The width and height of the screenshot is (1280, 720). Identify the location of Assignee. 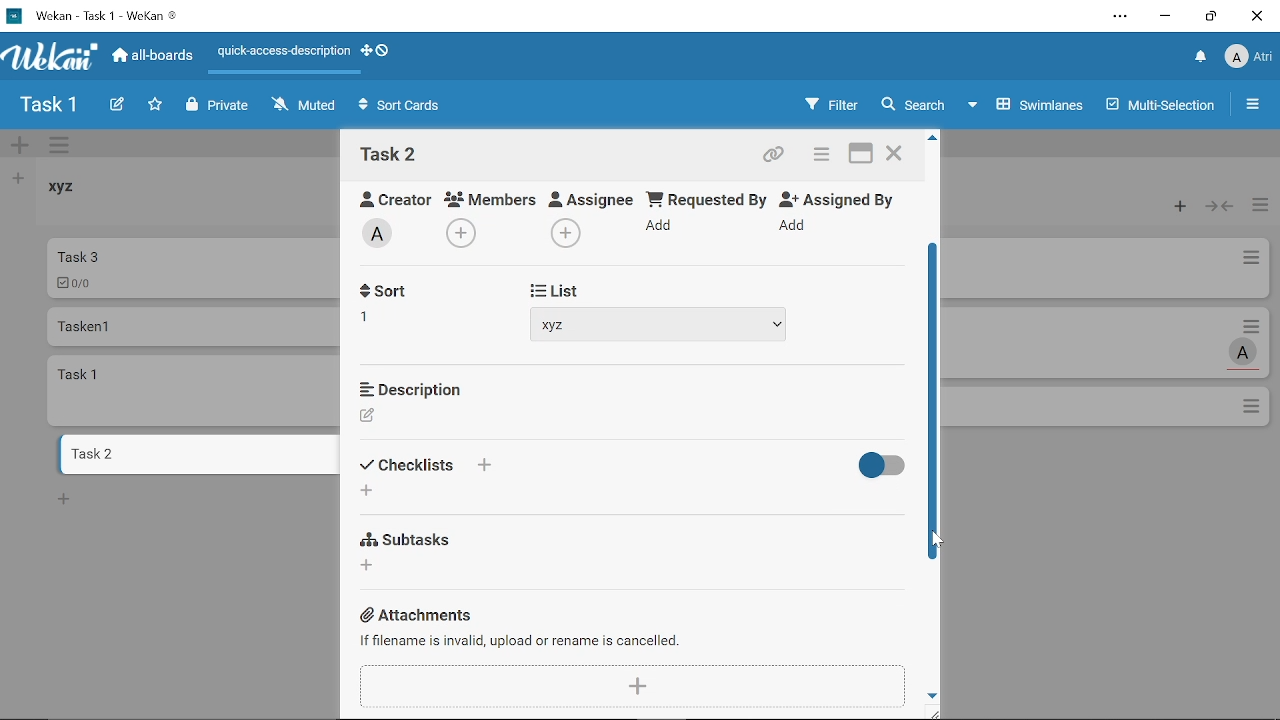
(592, 197).